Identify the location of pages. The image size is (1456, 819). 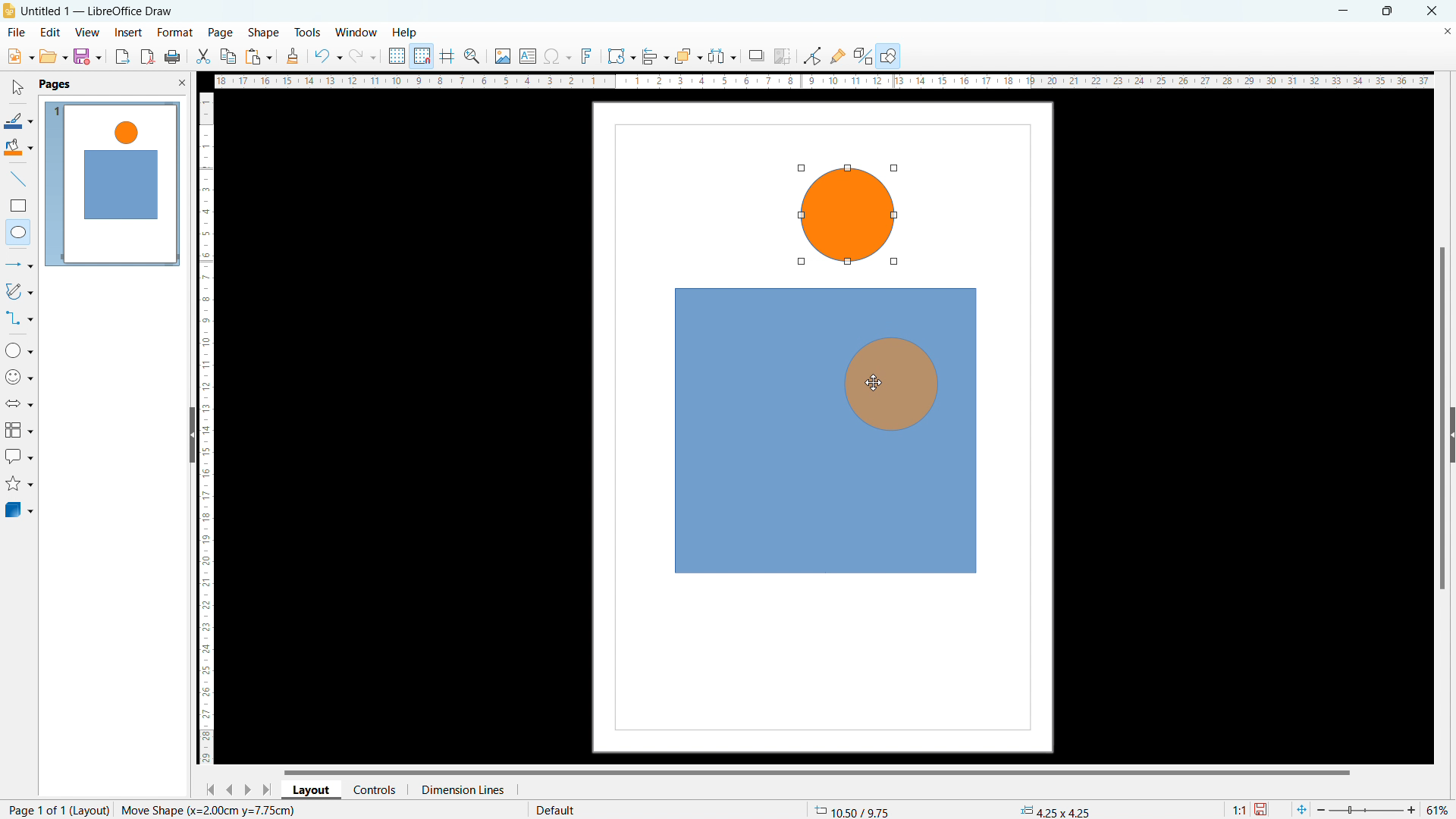
(54, 83).